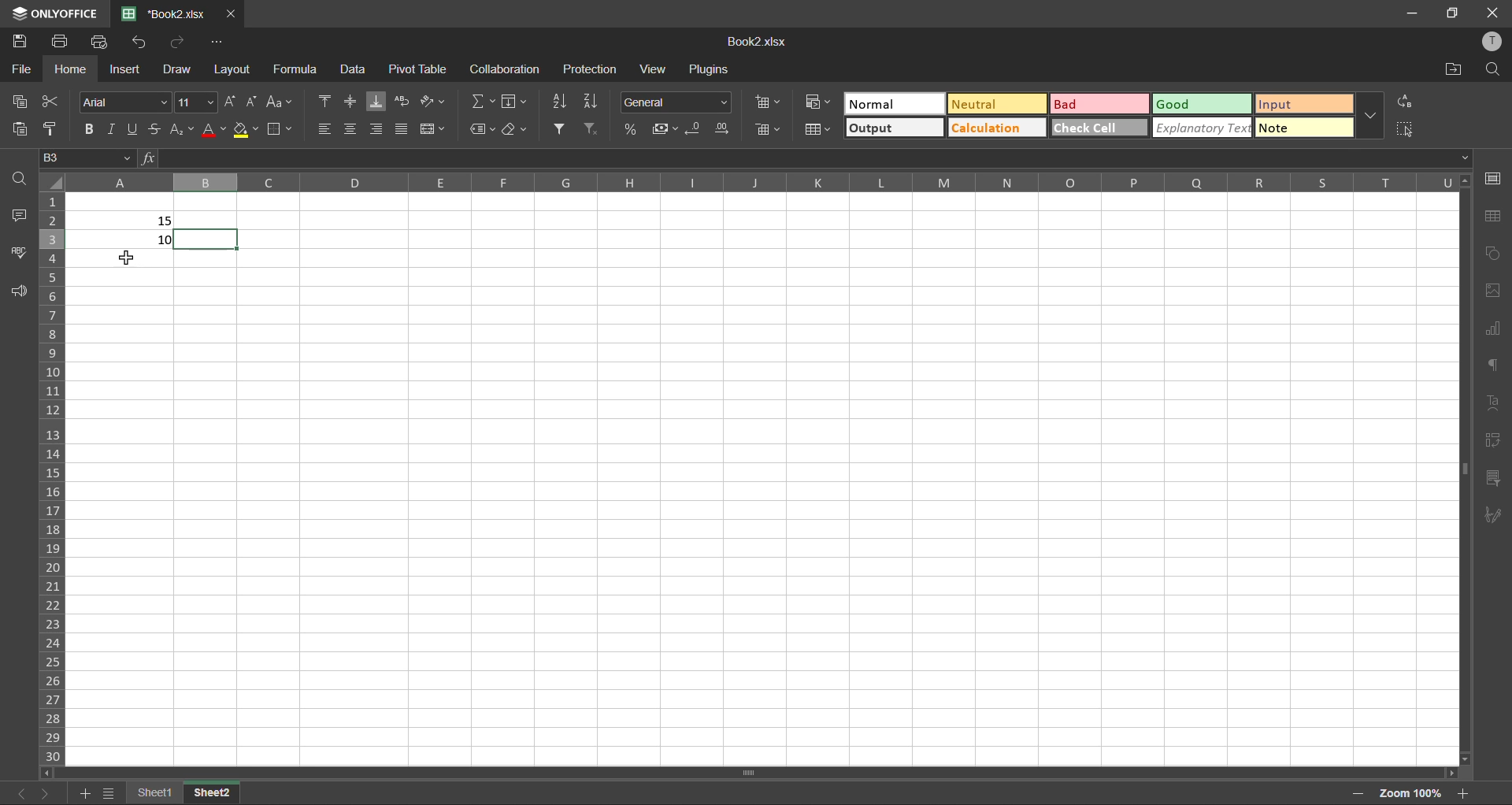 The image size is (1512, 805). I want to click on align right, so click(379, 128).